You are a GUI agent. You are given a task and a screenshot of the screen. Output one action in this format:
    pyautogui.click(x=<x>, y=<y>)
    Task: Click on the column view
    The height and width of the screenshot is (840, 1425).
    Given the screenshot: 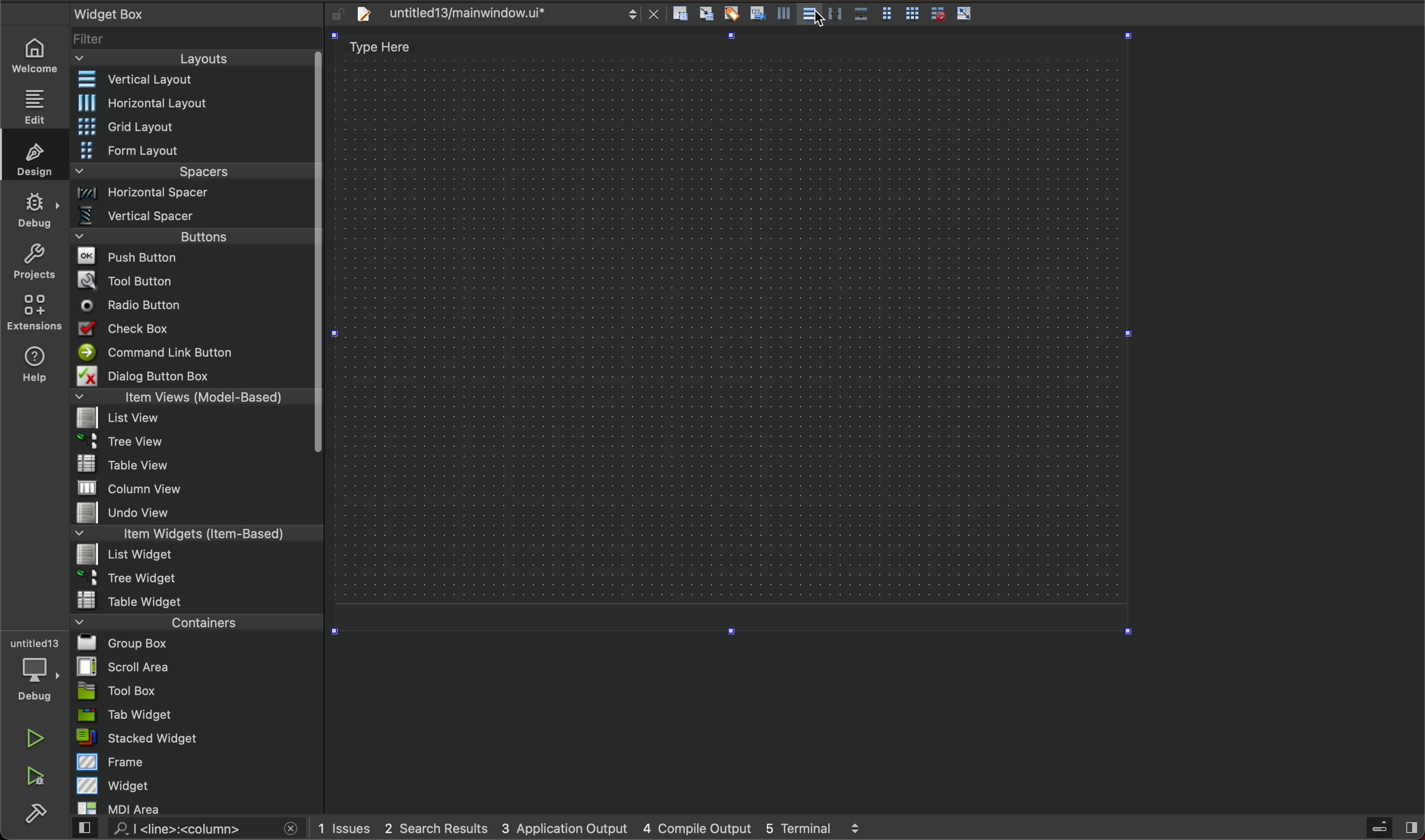 What is the action you would take?
    pyautogui.click(x=196, y=487)
    